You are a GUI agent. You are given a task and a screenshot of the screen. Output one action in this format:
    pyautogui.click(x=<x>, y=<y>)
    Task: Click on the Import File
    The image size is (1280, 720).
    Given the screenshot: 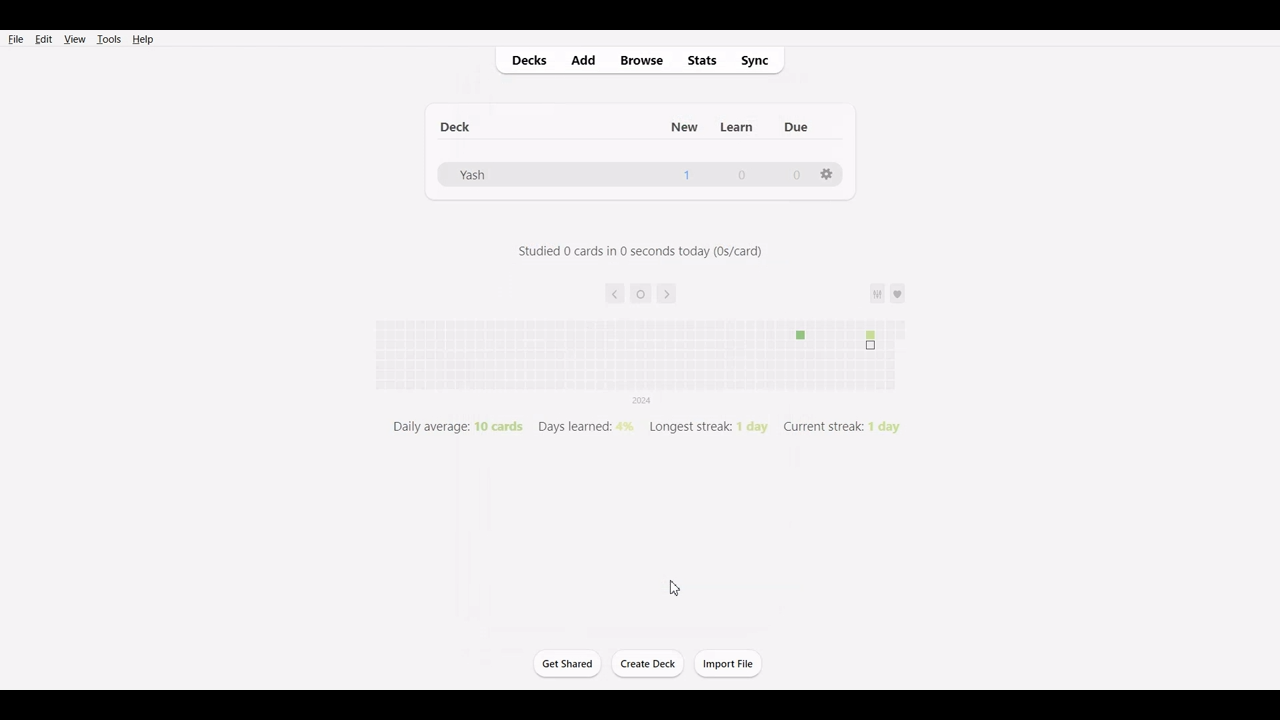 What is the action you would take?
    pyautogui.click(x=729, y=663)
    